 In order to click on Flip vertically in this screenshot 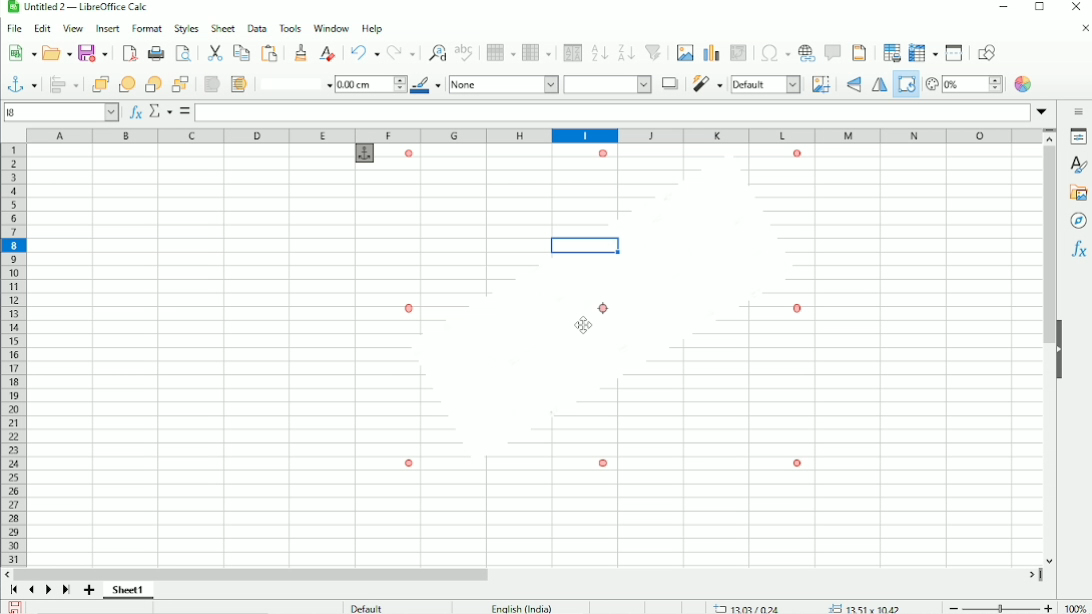, I will do `click(854, 85)`.